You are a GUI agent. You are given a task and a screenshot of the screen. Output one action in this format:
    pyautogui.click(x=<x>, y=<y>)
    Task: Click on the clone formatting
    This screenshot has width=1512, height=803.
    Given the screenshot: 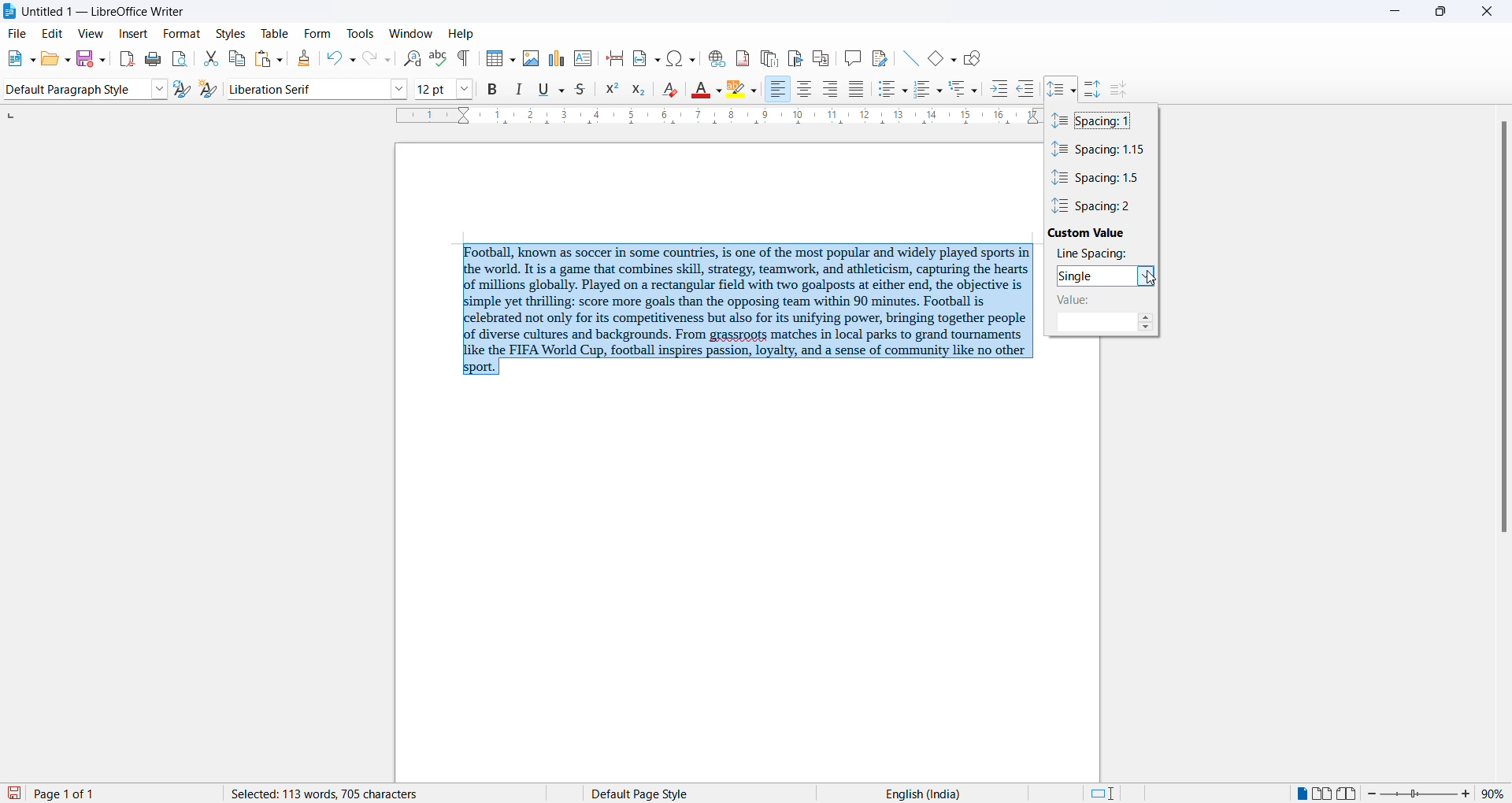 What is the action you would take?
    pyautogui.click(x=306, y=58)
    